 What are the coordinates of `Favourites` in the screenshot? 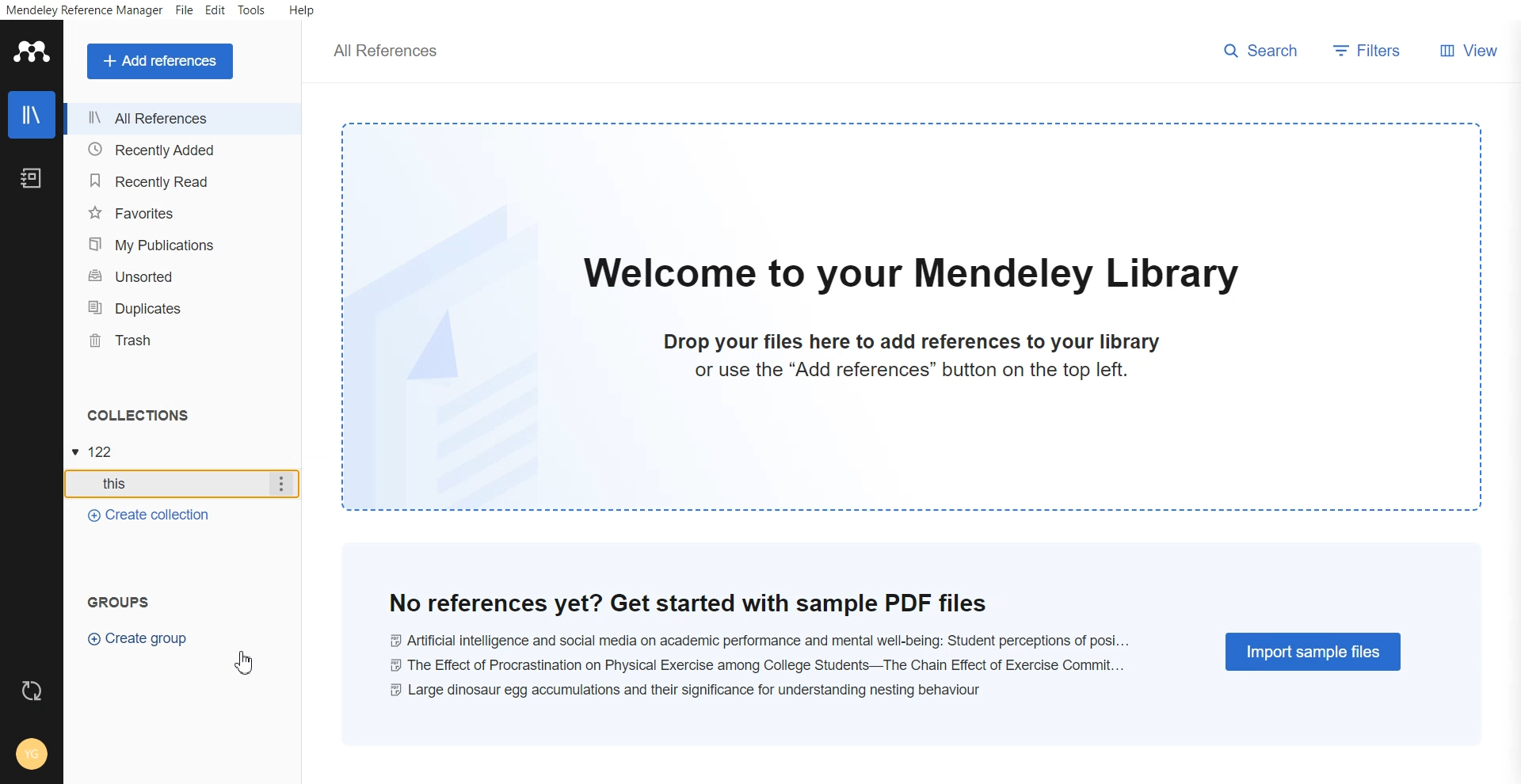 It's located at (183, 213).